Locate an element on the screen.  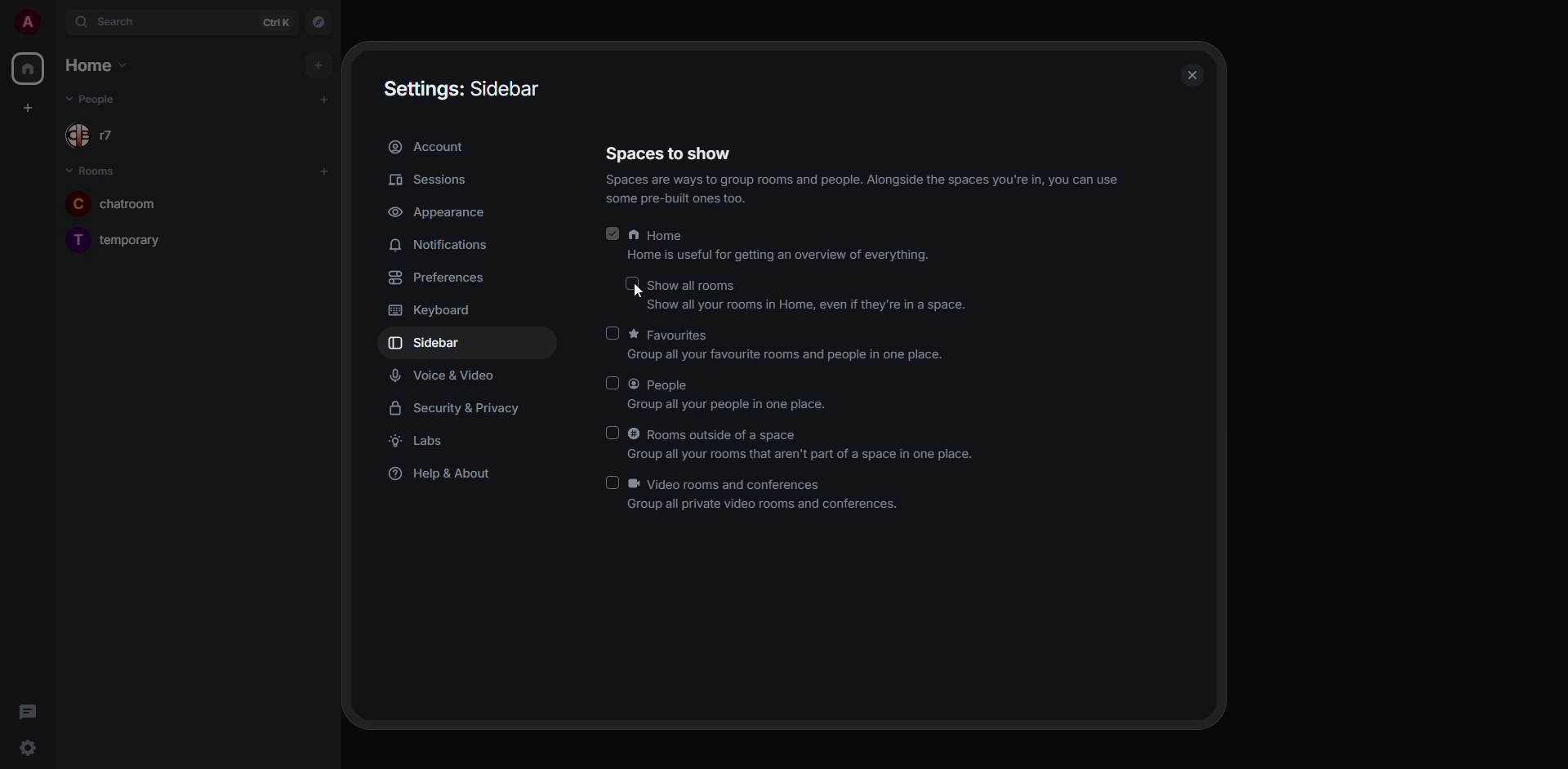
add is located at coordinates (324, 171).